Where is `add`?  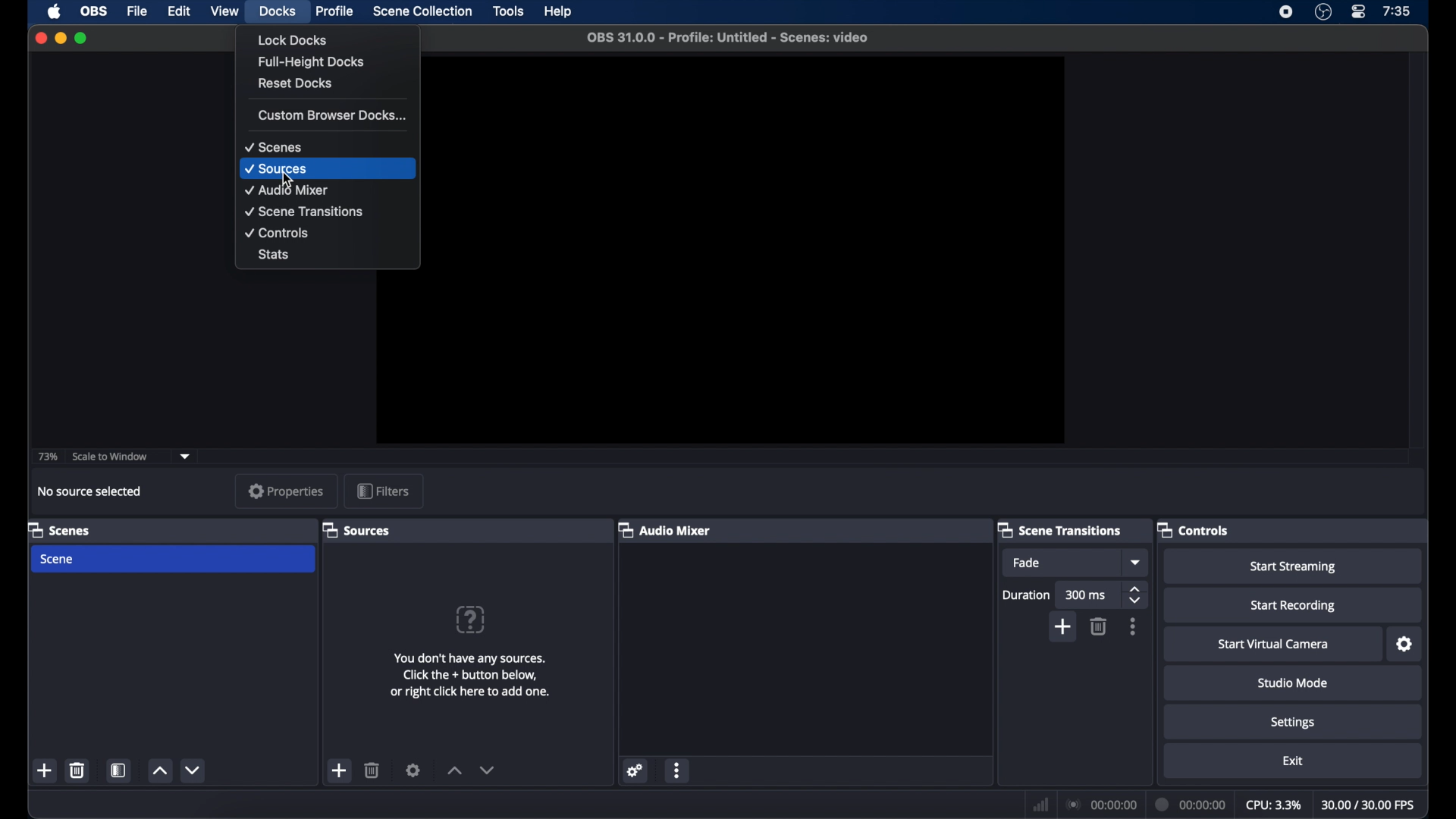 add is located at coordinates (1063, 628).